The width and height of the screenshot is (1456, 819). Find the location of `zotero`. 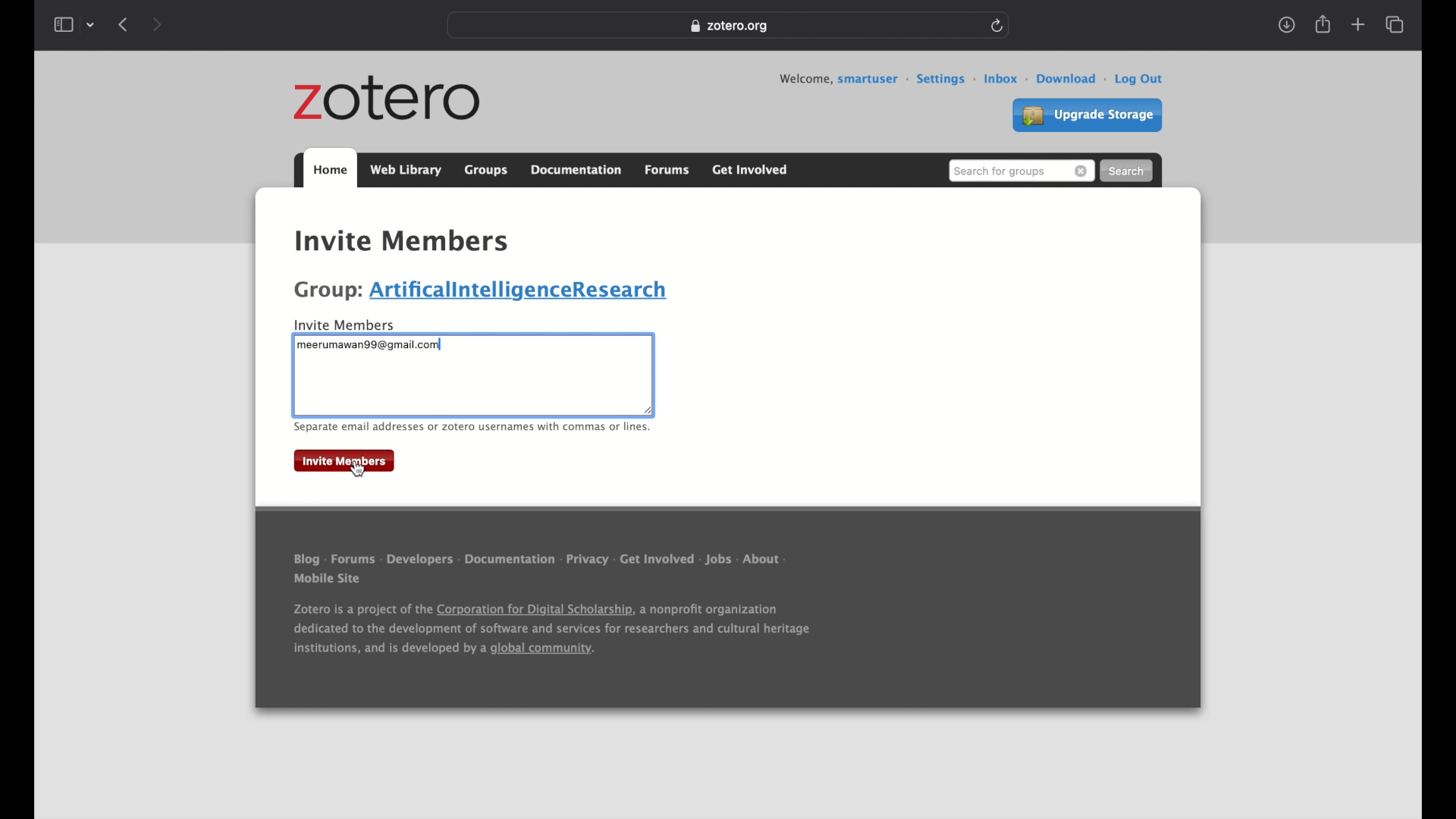

zotero is located at coordinates (387, 99).